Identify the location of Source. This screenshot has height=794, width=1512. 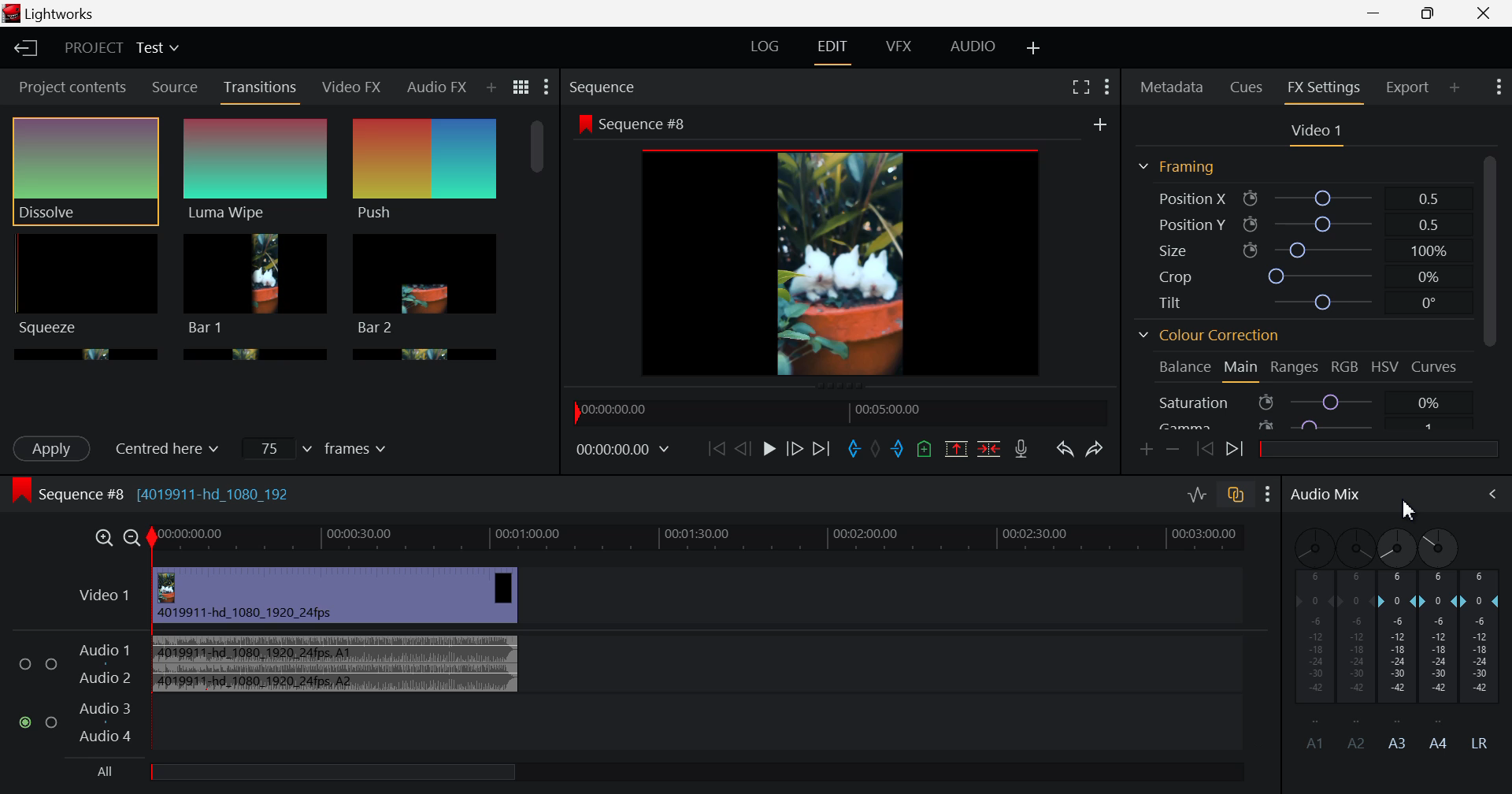
(176, 86).